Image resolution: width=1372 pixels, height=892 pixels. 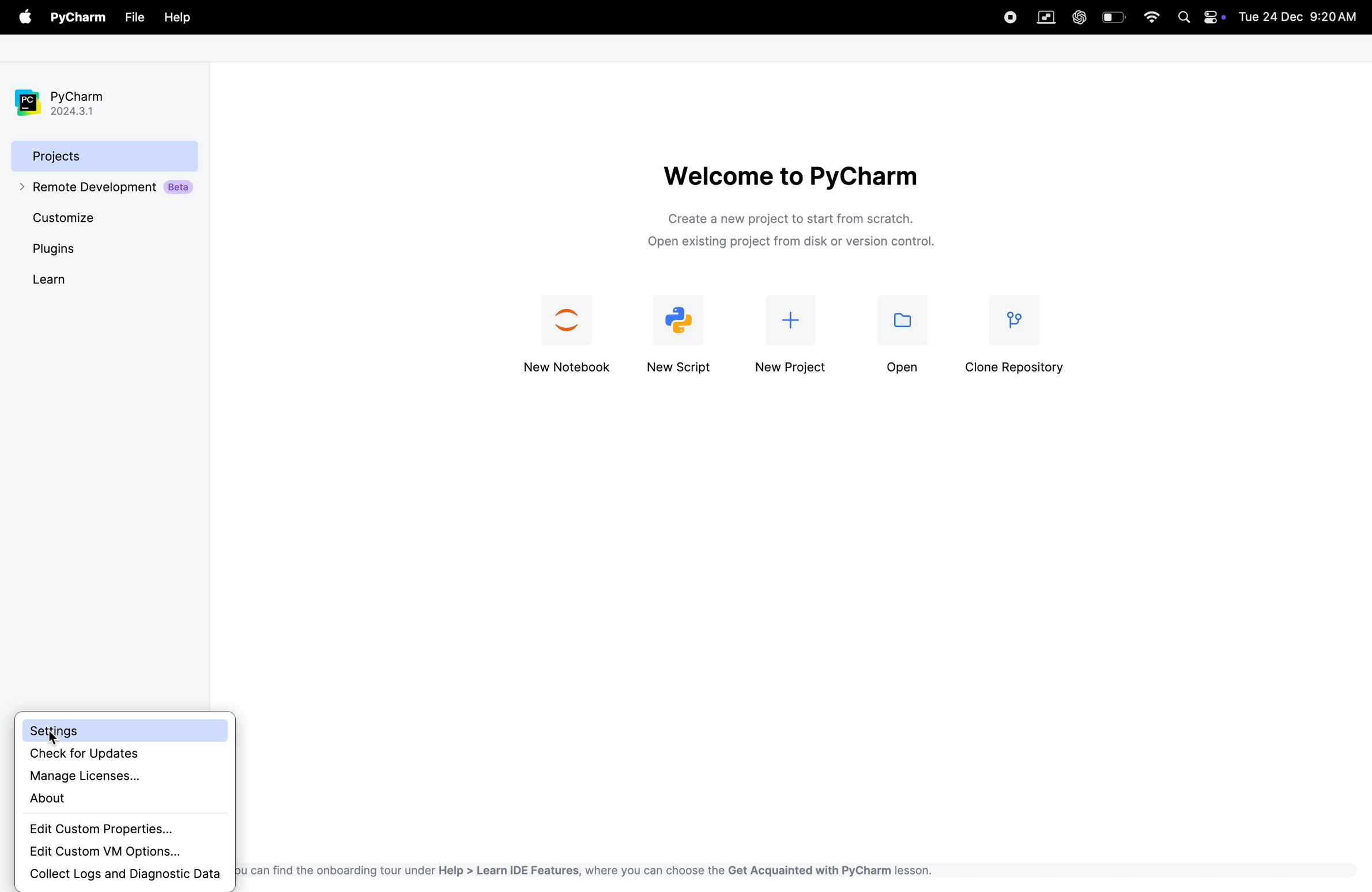 What do you see at coordinates (584, 870) in the screenshot?
I see `ide features` at bounding box center [584, 870].